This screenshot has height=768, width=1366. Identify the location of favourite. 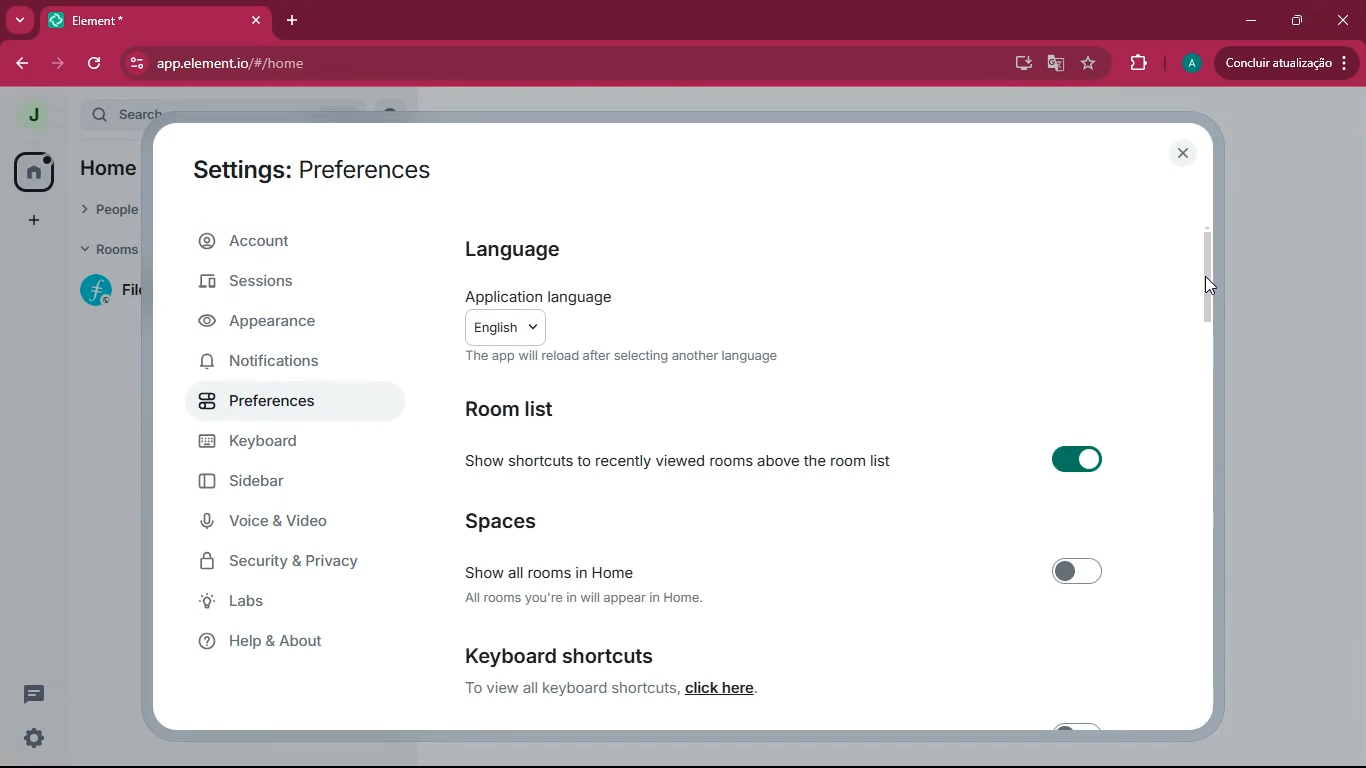
(1092, 64).